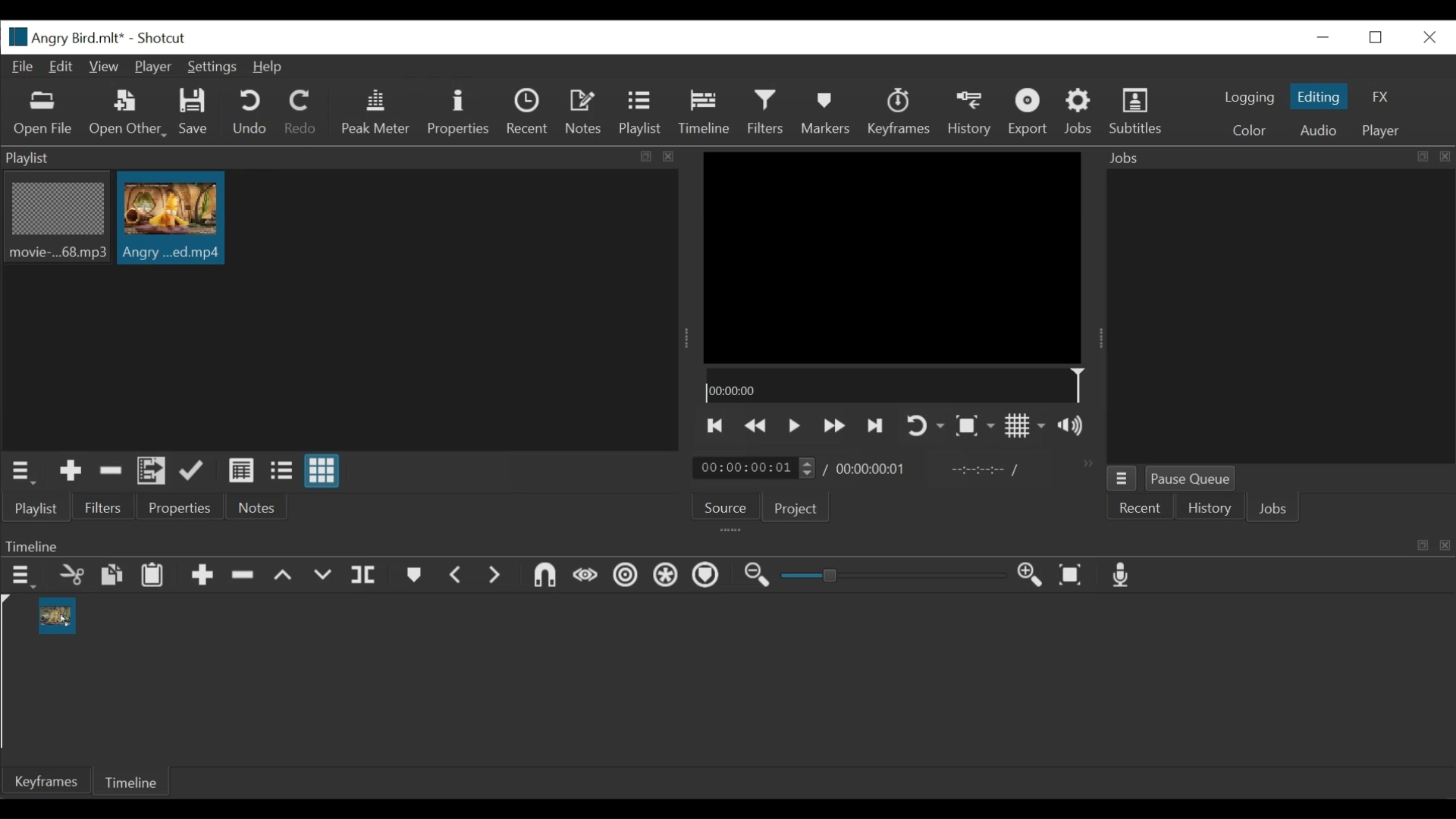  What do you see at coordinates (875, 426) in the screenshot?
I see `Skip to the next point` at bounding box center [875, 426].